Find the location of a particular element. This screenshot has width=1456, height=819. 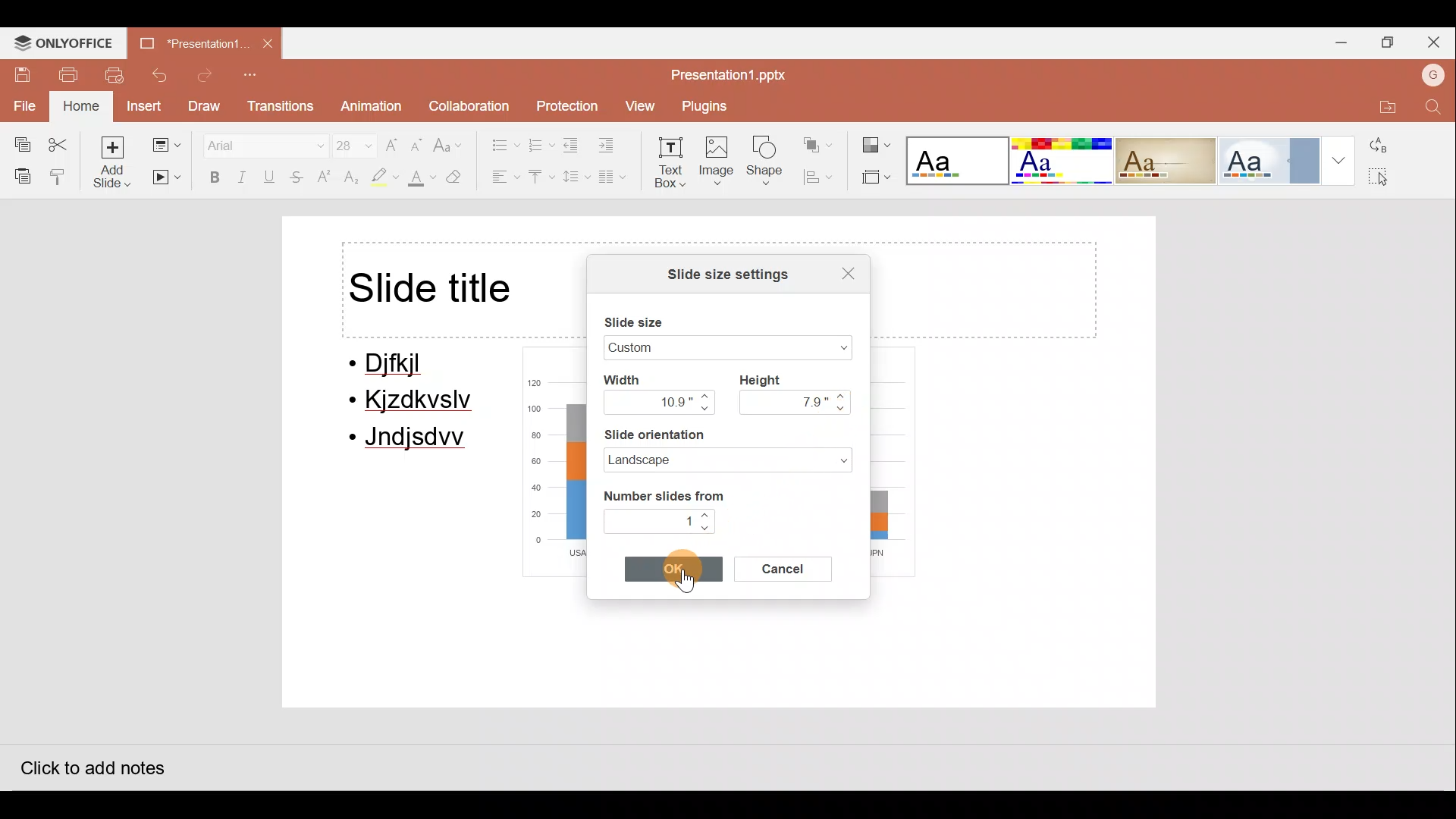

Plugins is located at coordinates (709, 106).